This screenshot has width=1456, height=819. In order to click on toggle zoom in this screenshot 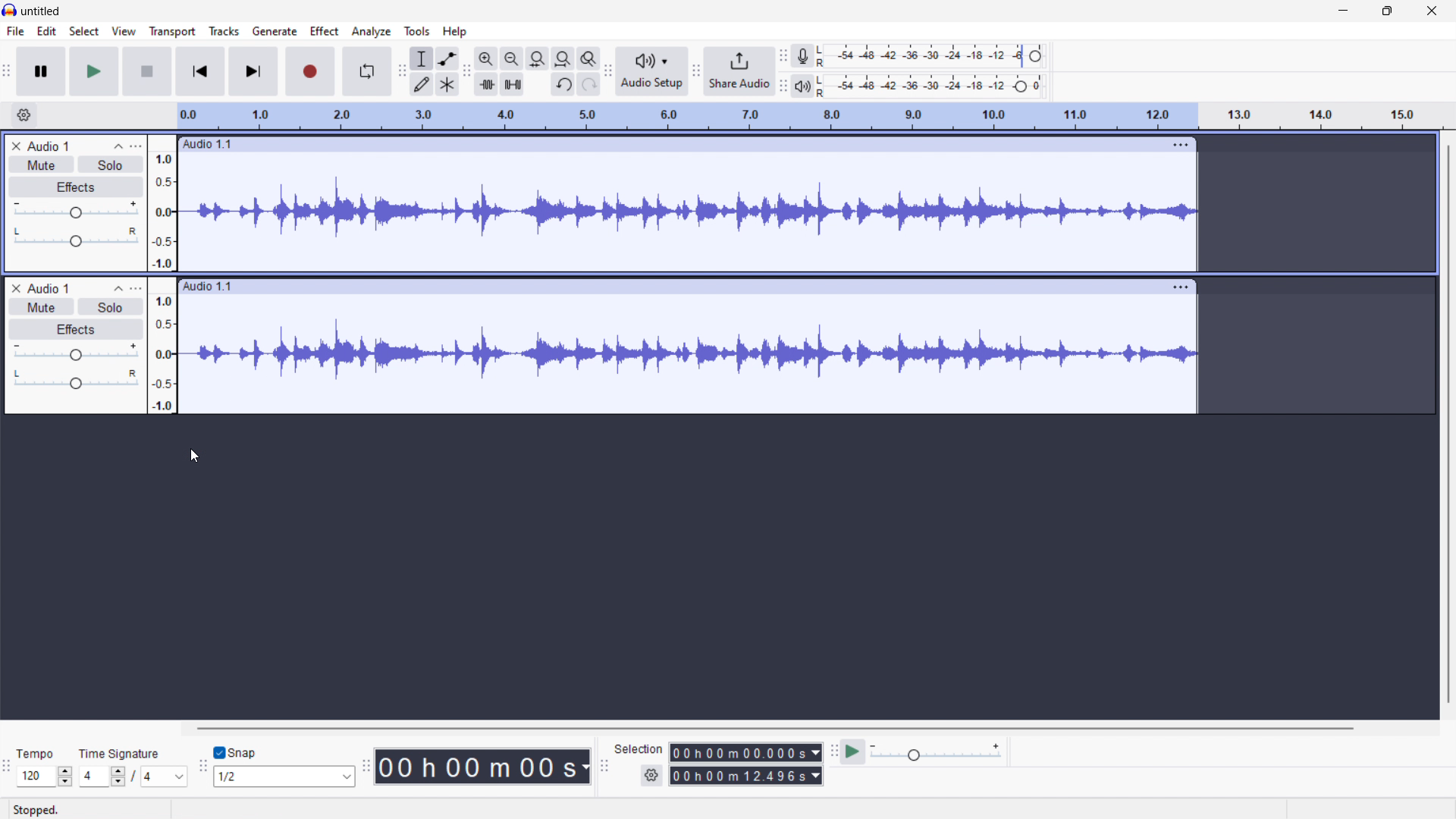, I will do `click(589, 58)`.